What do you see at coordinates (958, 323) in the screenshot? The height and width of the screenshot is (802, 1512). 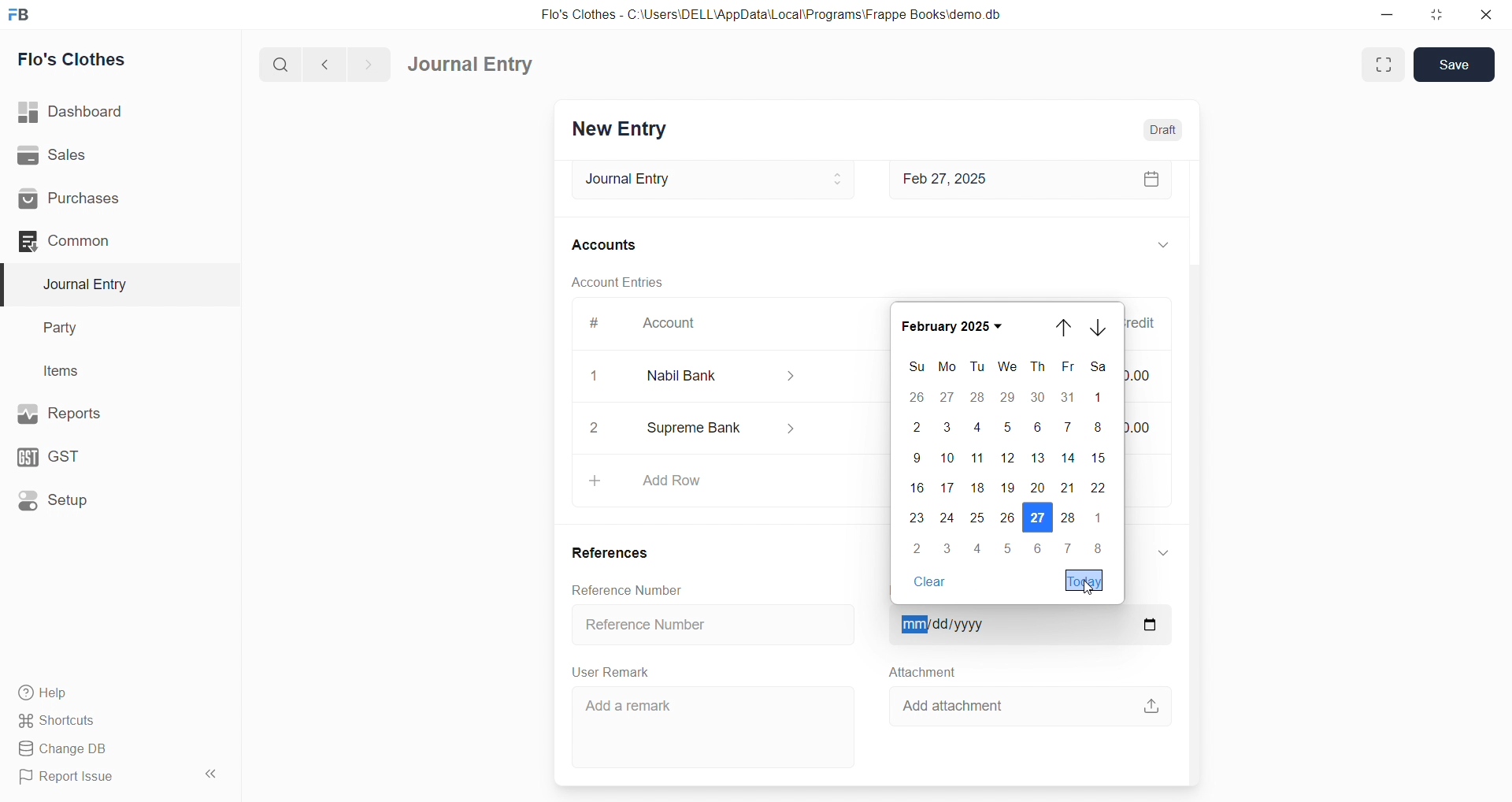 I see `February 2025` at bounding box center [958, 323].